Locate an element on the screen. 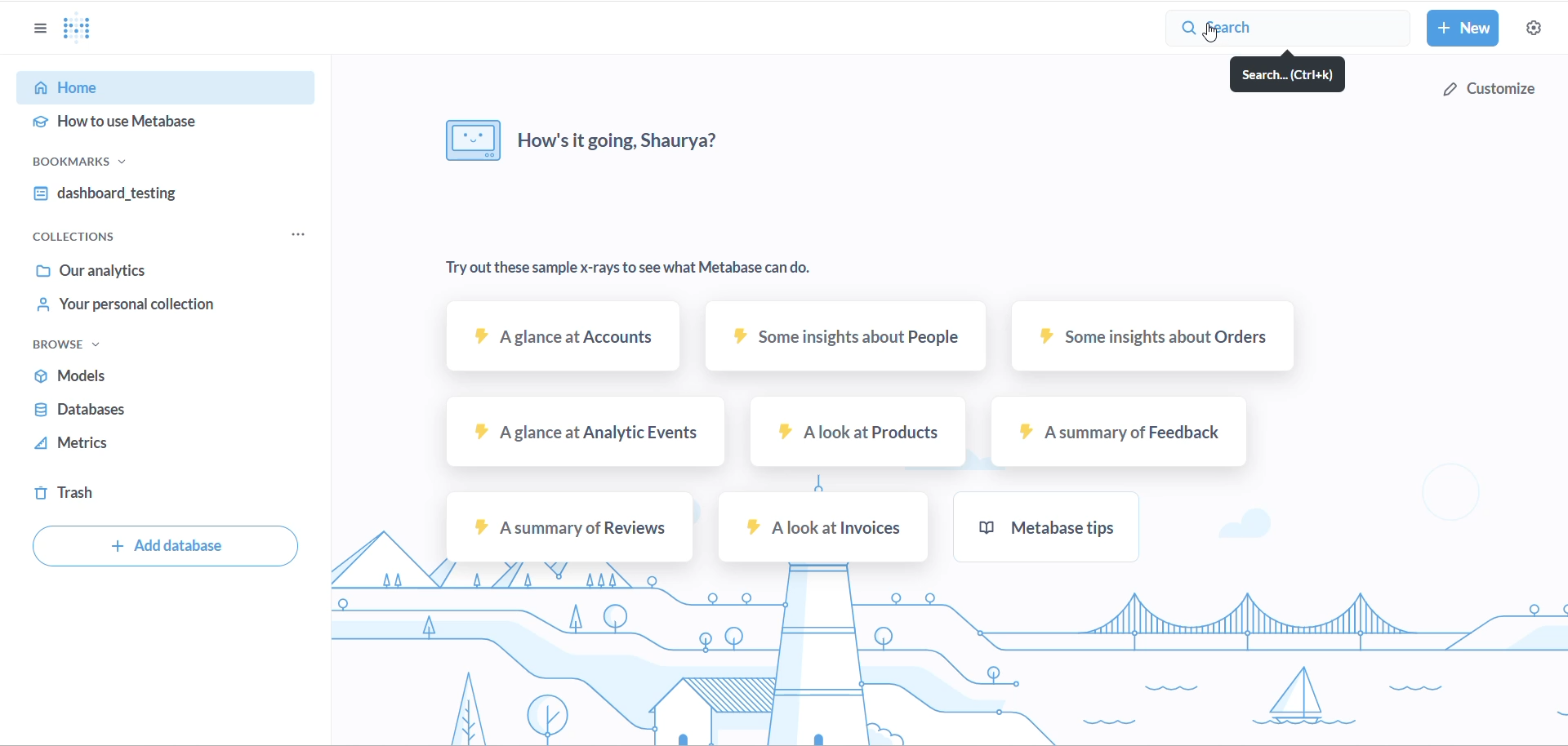 This screenshot has height=746, width=1568. databases is located at coordinates (135, 413).